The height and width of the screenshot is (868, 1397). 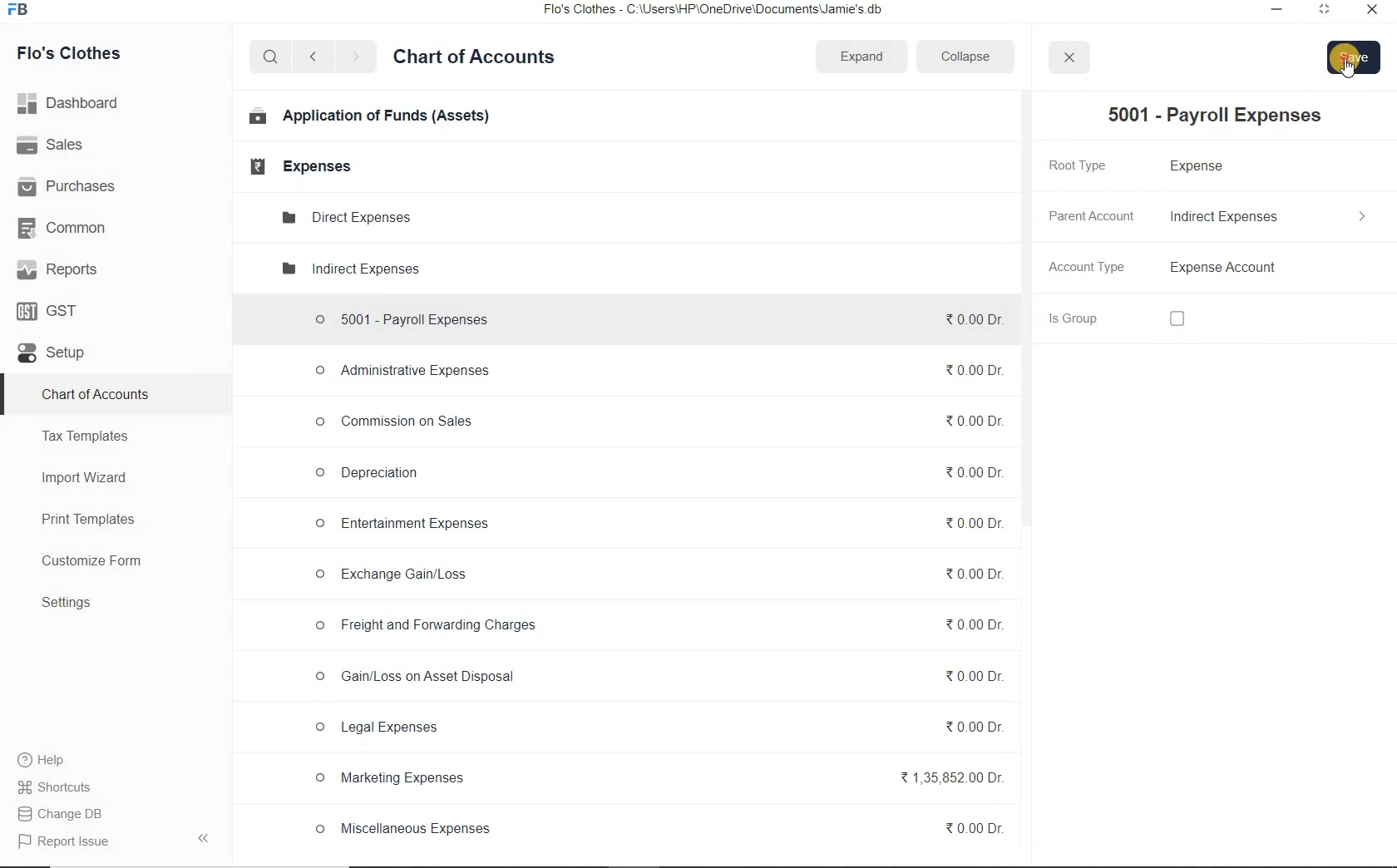 I want to click on  Help, so click(x=51, y=760).